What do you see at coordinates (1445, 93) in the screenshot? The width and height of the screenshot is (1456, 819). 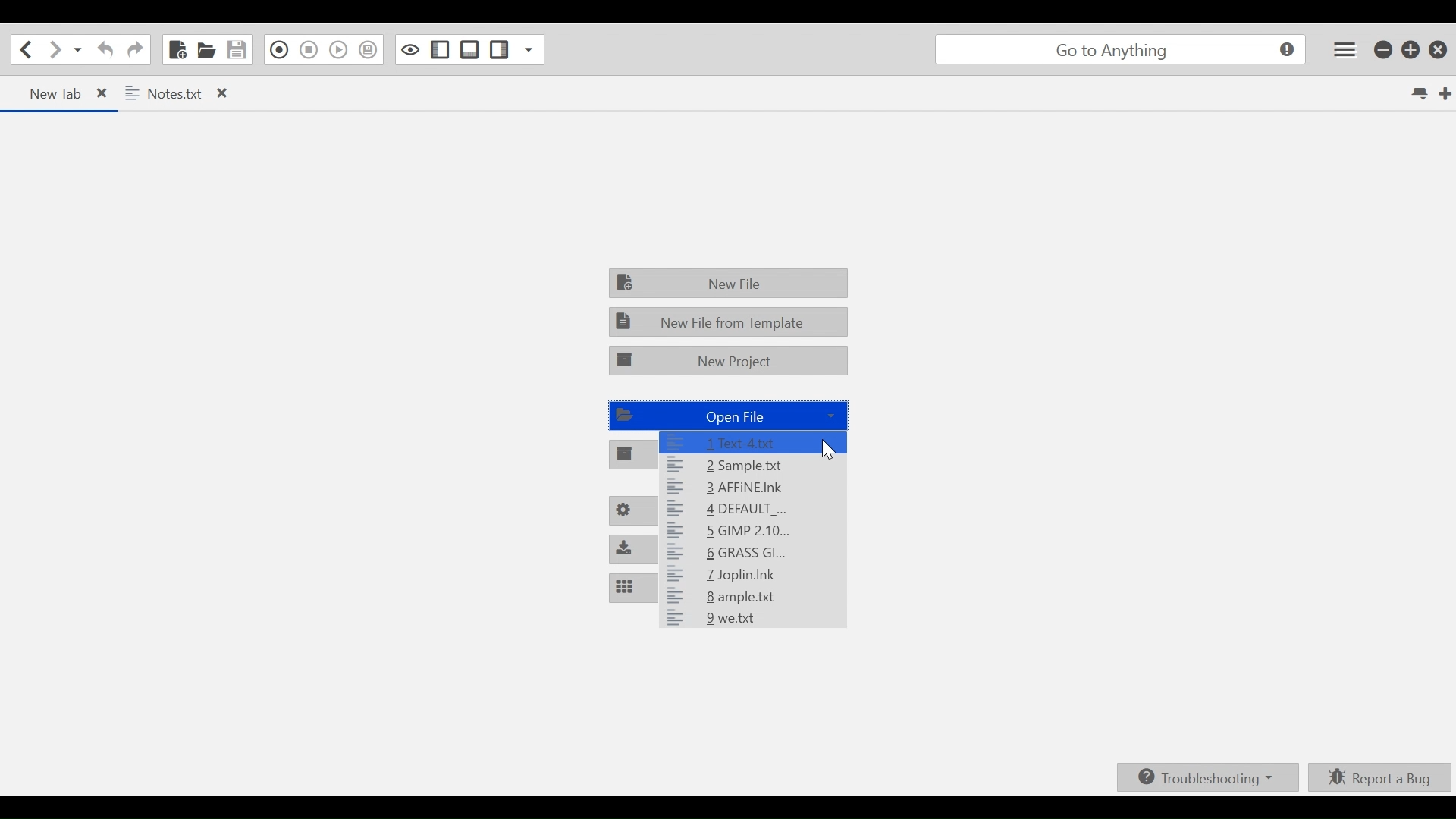 I see `New Tab` at bounding box center [1445, 93].